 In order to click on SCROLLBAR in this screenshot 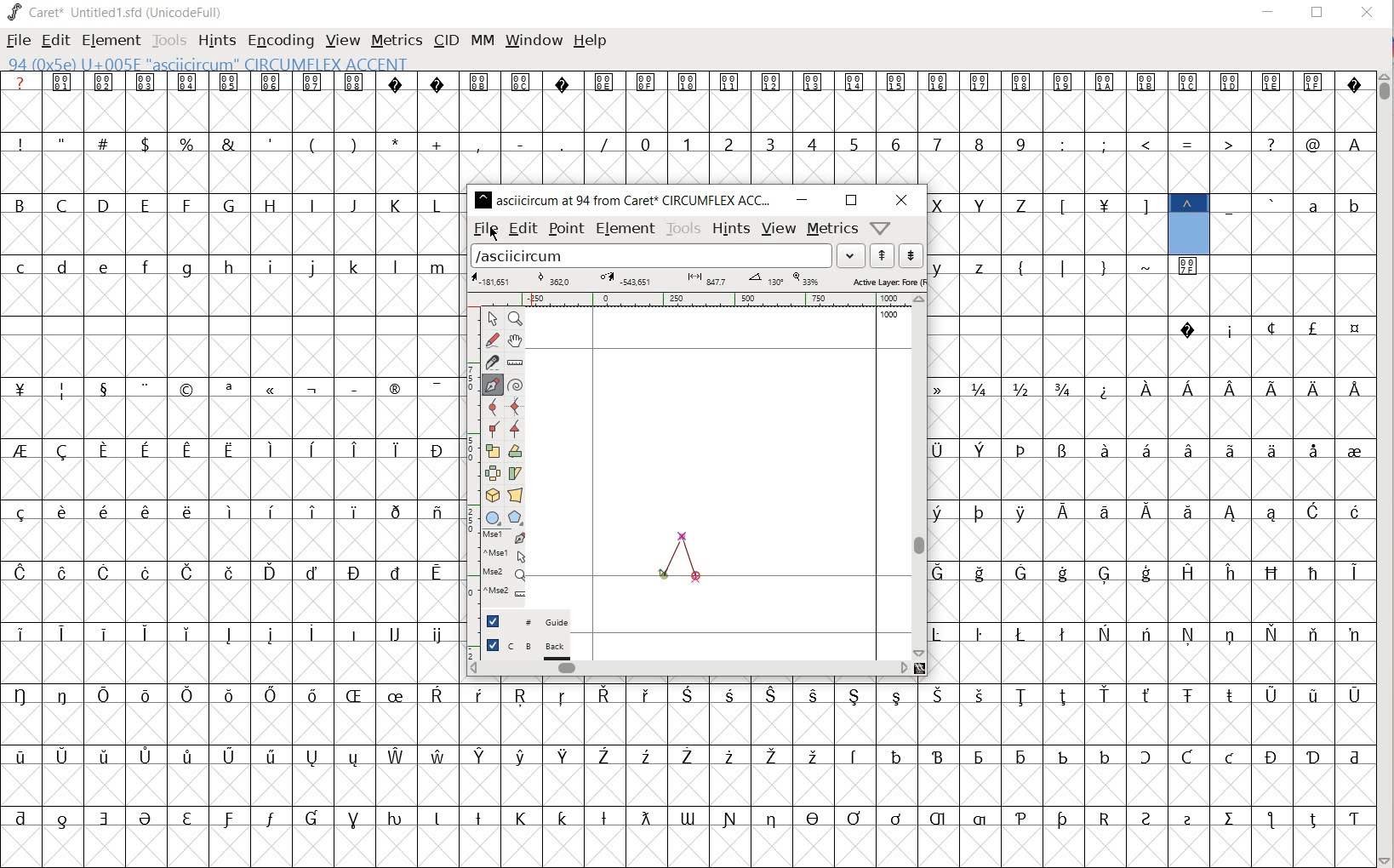, I will do `click(1385, 467)`.